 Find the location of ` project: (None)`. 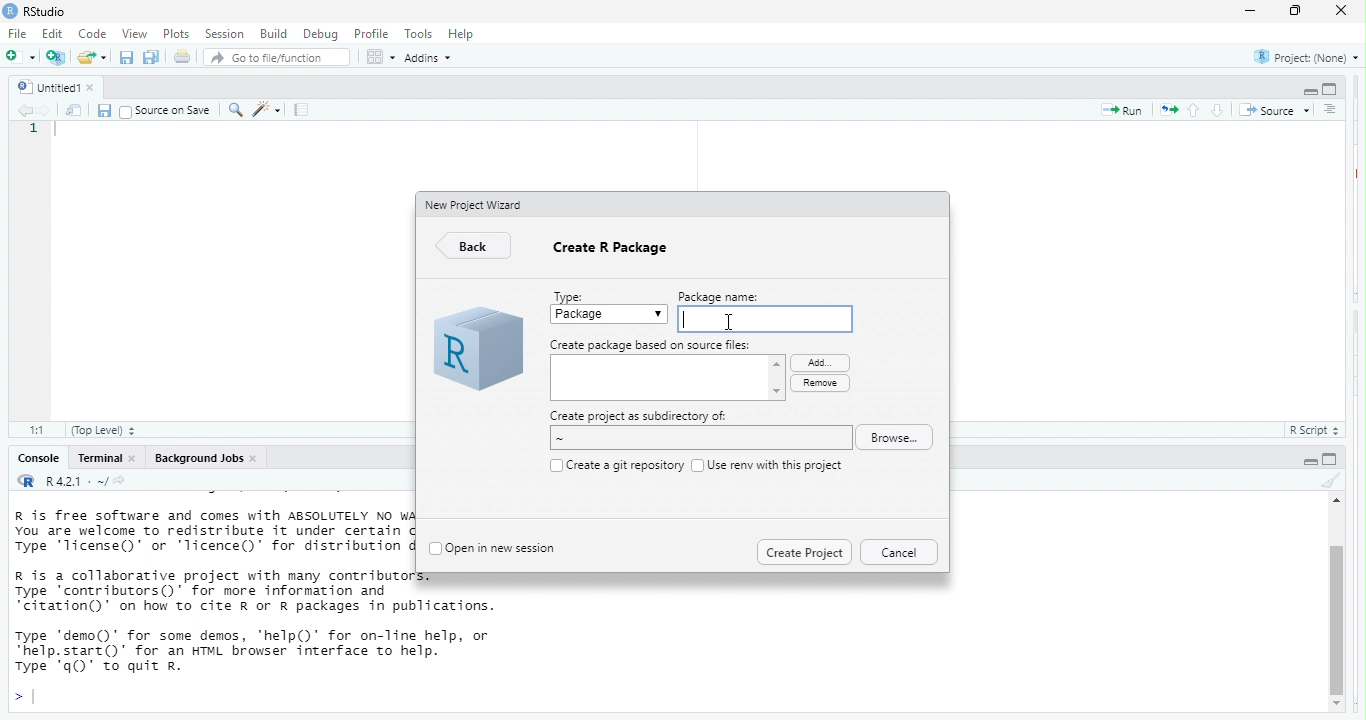

 project: (None) is located at coordinates (1305, 59).